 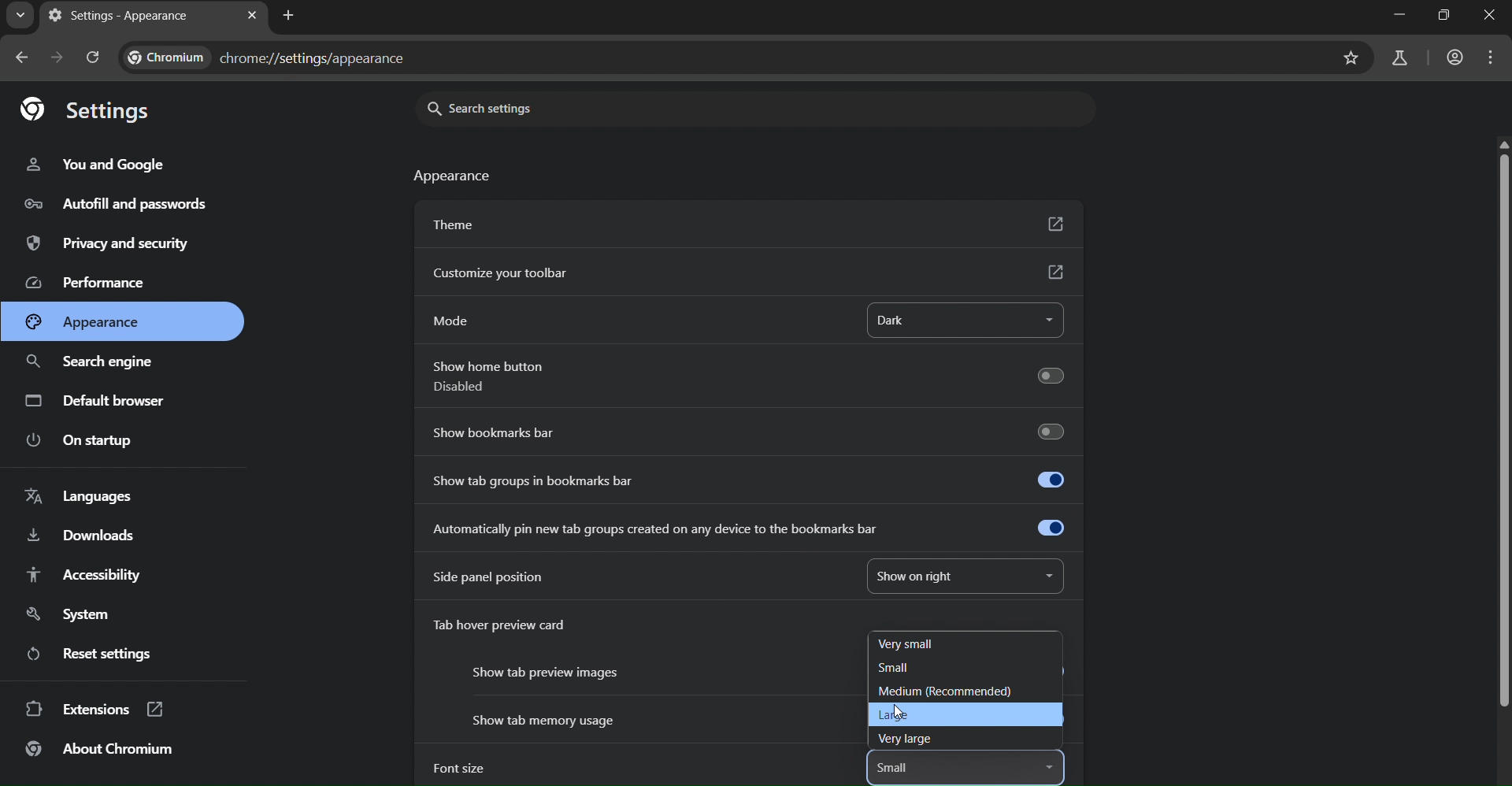 What do you see at coordinates (899, 668) in the screenshot?
I see `small` at bounding box center [899, 668].